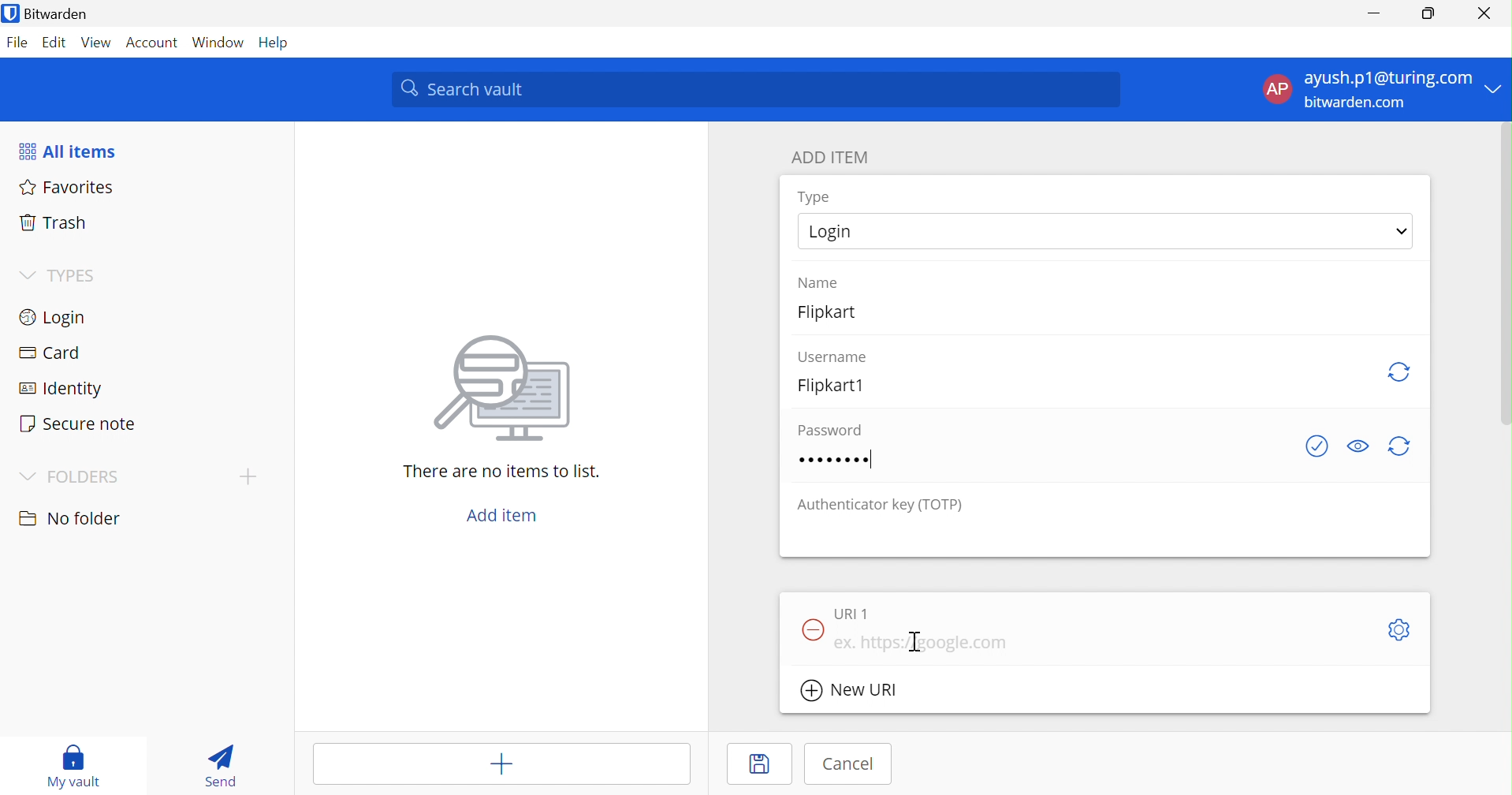 This screenshot has height=795, width=1512. Describe the element at coordinates (1428, 13) in the screenshot. I see `Restore Down` at that location.